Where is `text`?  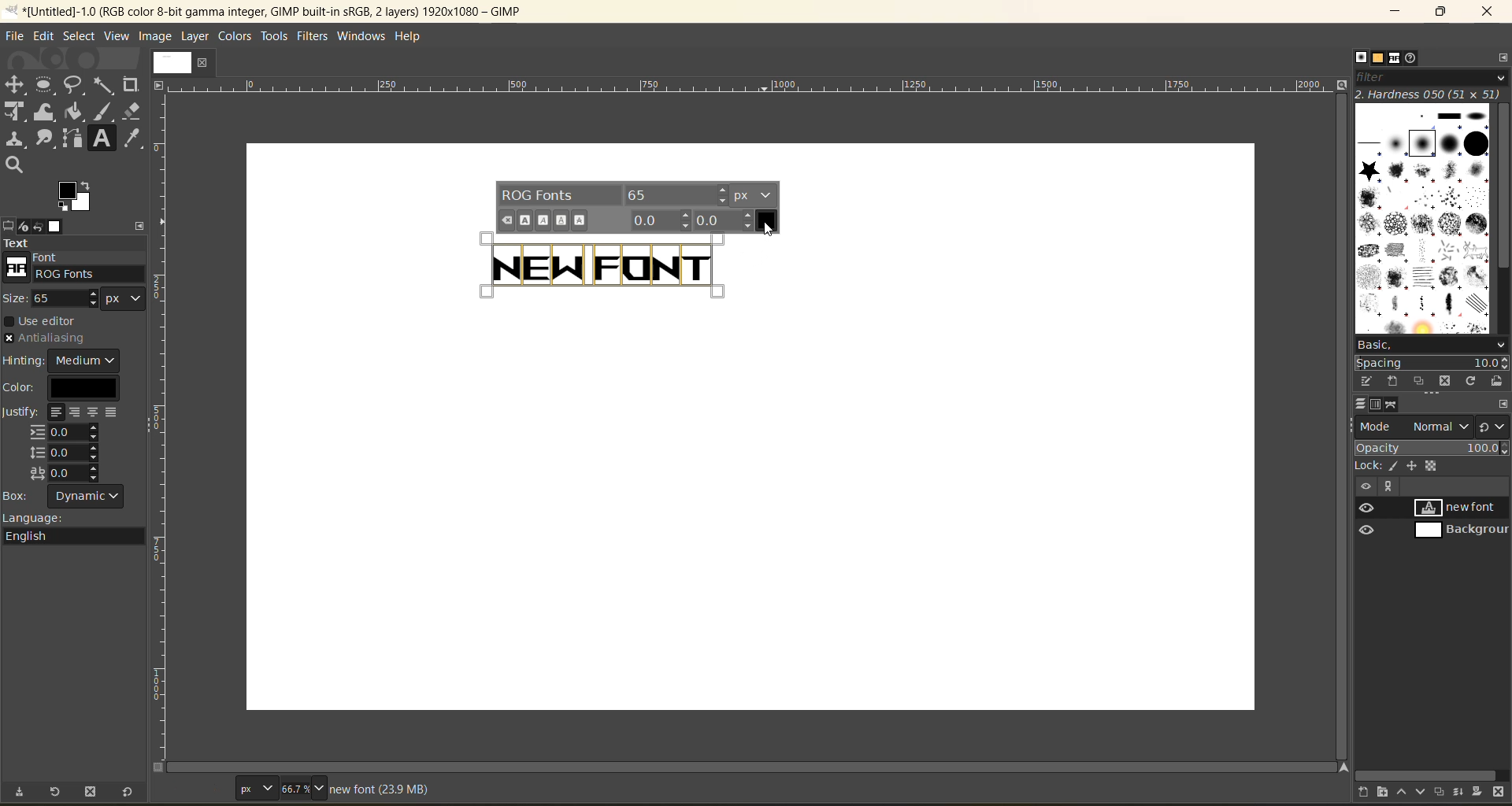
text is located at coordinates (73, 243).